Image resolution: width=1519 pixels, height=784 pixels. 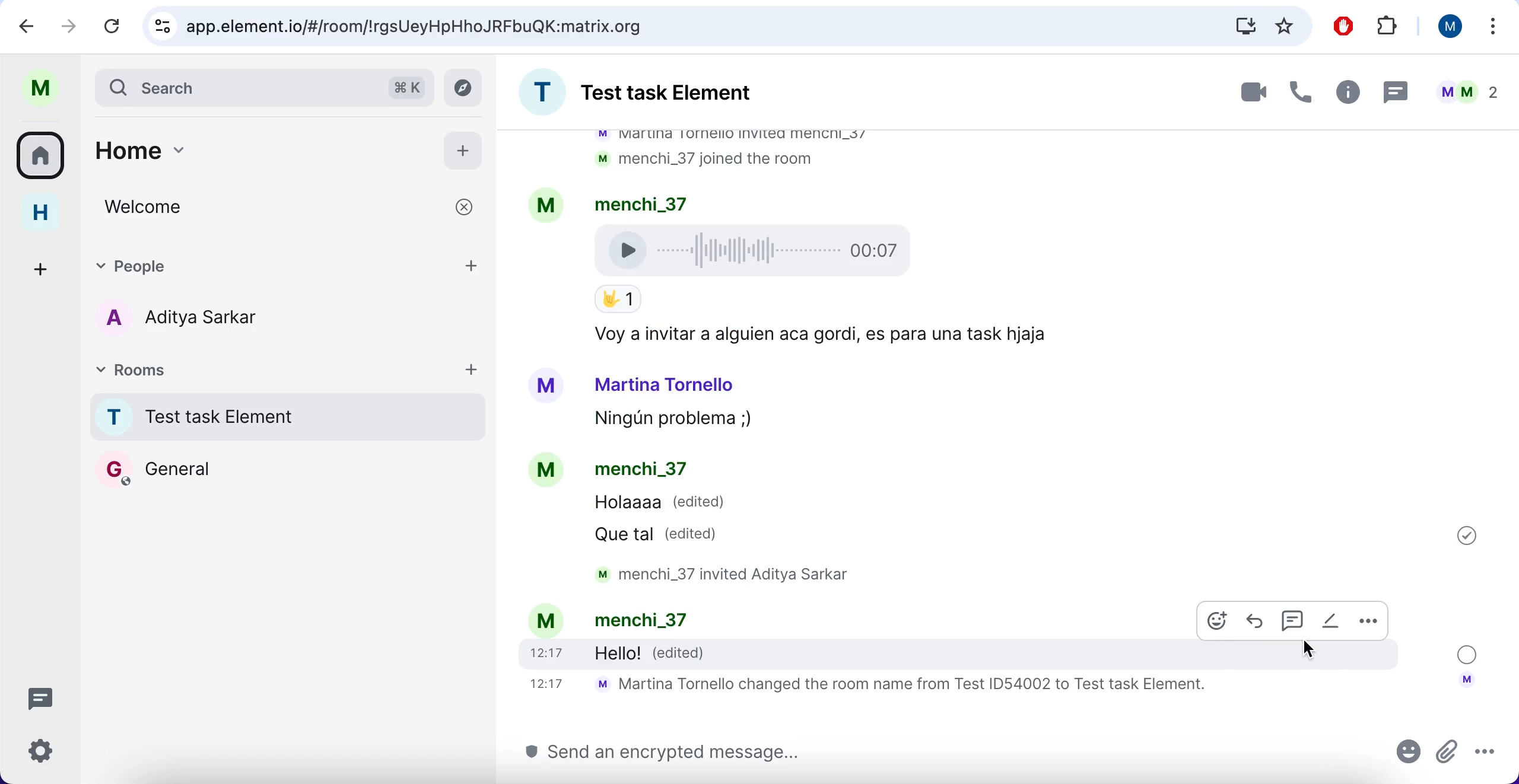 I want to click on emoji, so click(x=1409, y=756).